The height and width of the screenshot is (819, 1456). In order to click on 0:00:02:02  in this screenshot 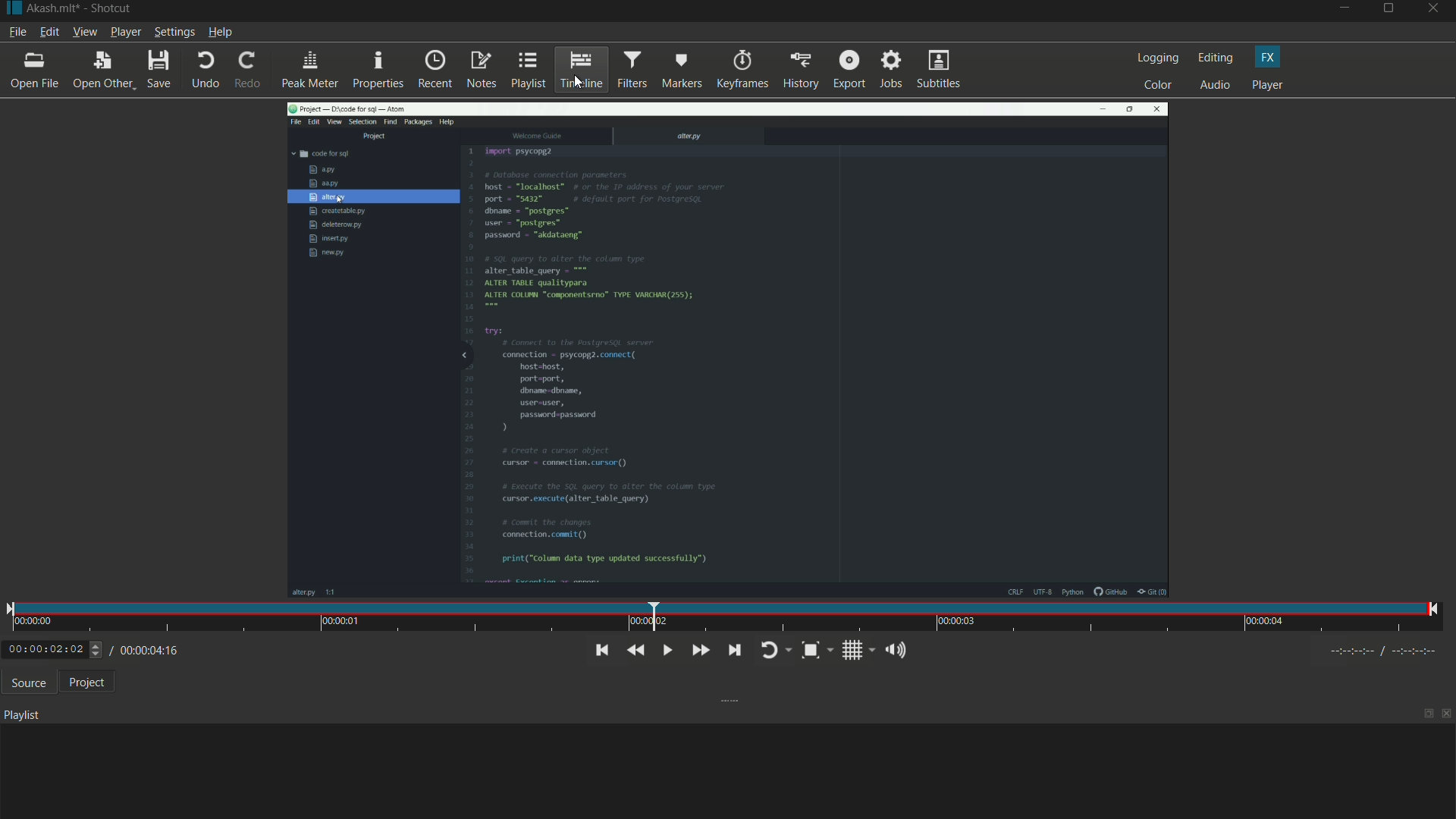, I will do `click(54, 649)`.